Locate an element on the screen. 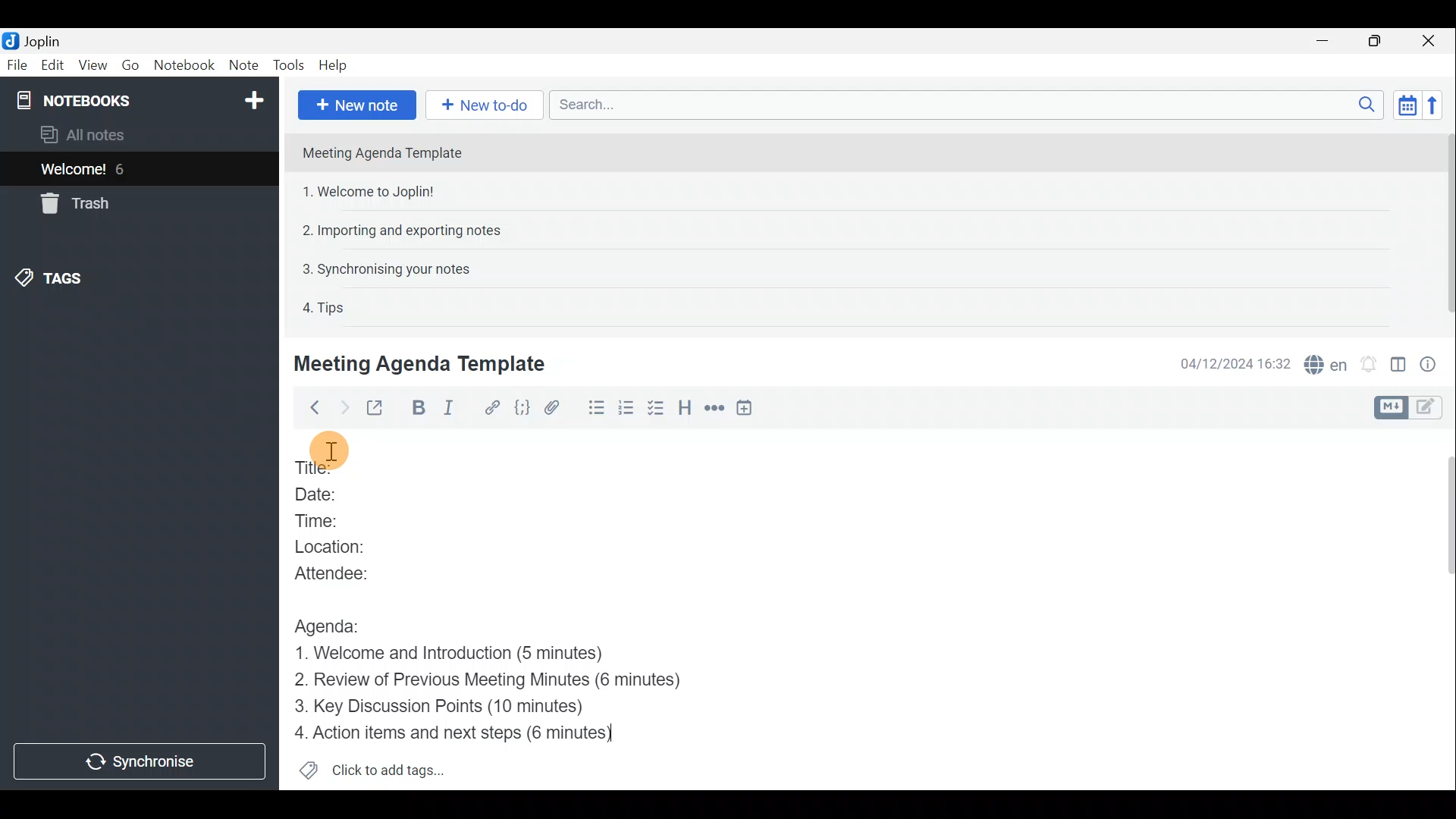 Image resolution: width=1456 pixels, height=819 pixels. Tools is located at coordinates (287, 63).